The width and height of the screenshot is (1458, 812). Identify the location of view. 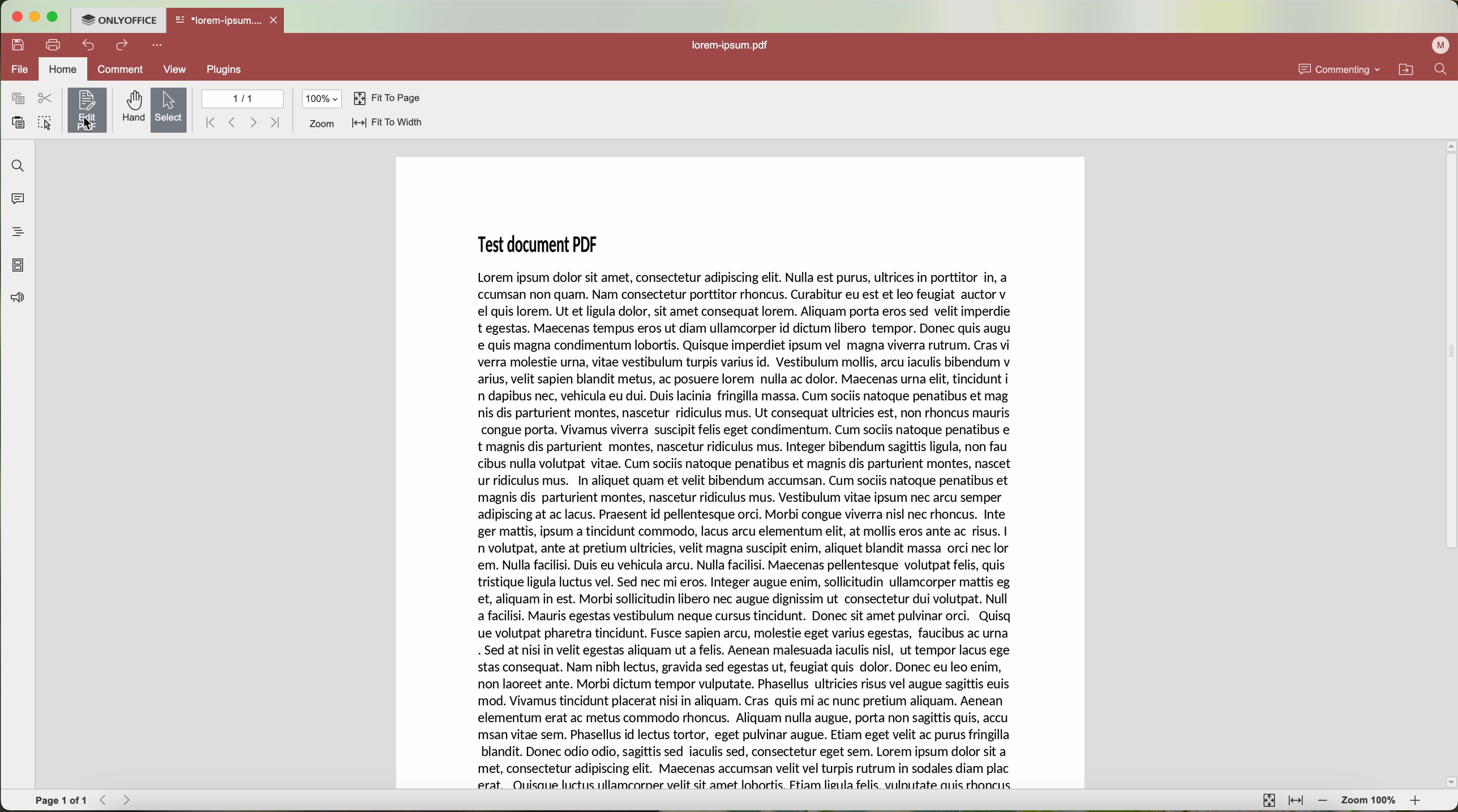
(173, 69).